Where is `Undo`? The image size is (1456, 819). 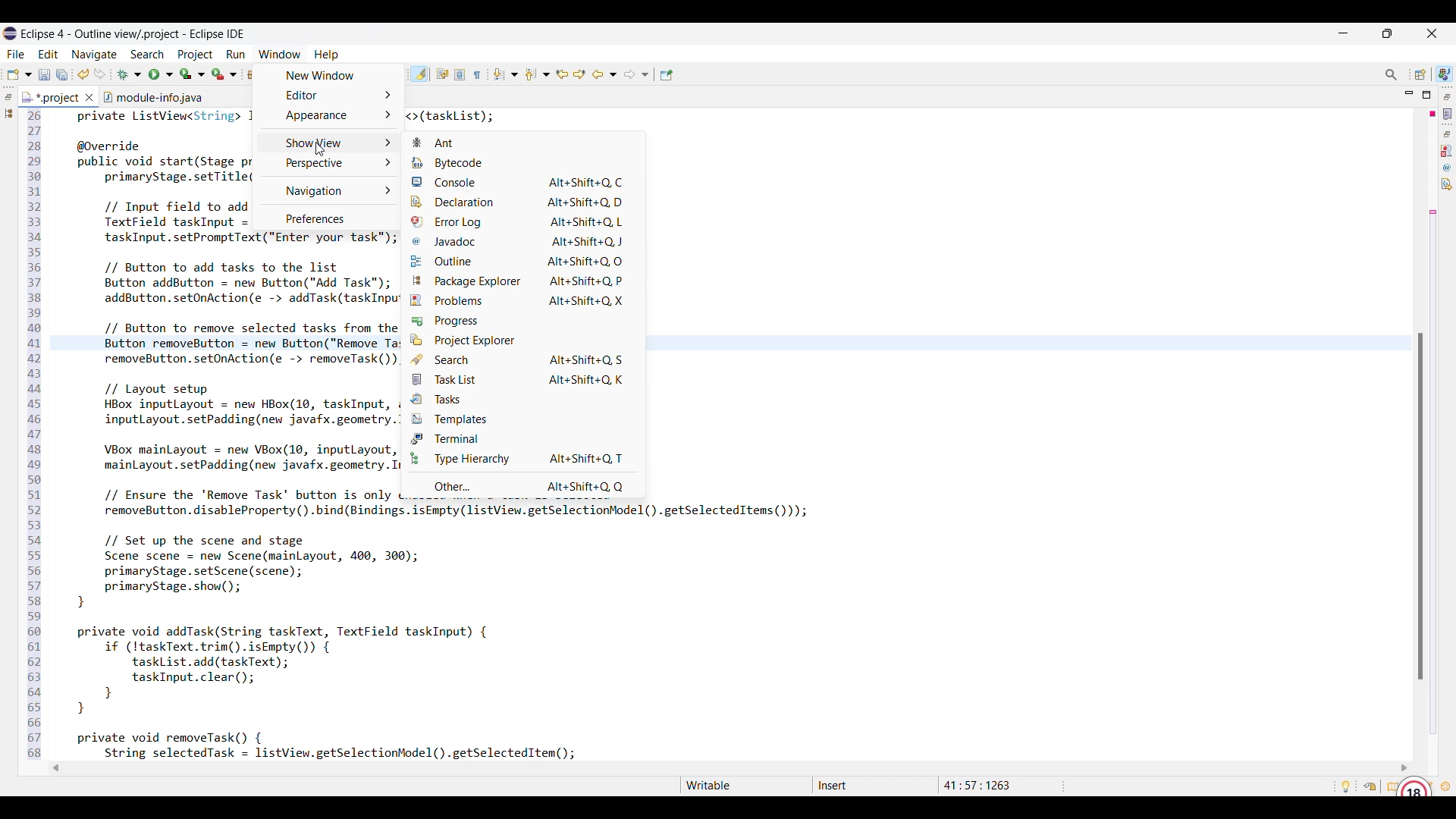
Undo is located at coordinates (83, 74).